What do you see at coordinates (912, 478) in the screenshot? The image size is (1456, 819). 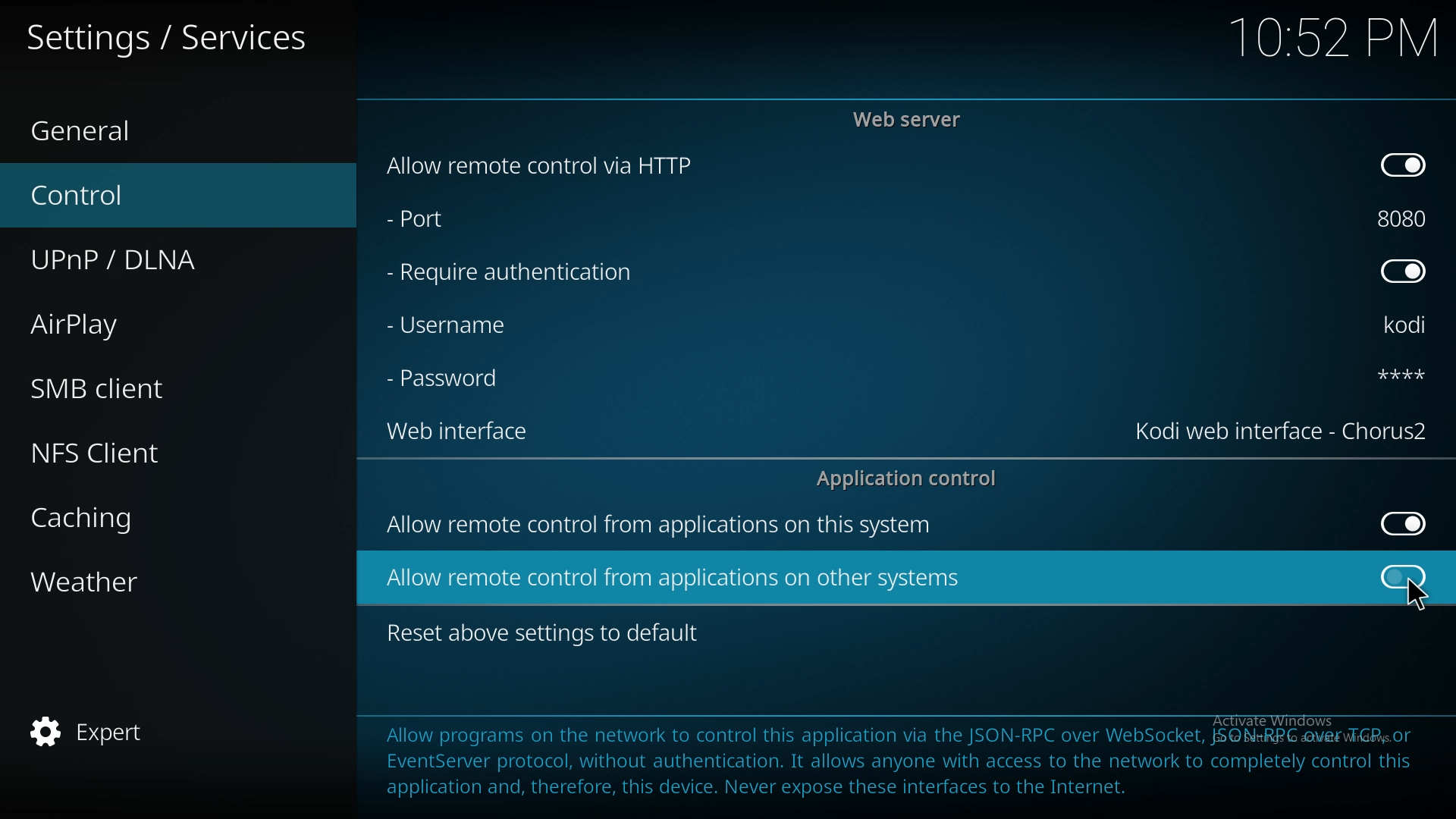 I see `application control` at bounding box center [912, 478].